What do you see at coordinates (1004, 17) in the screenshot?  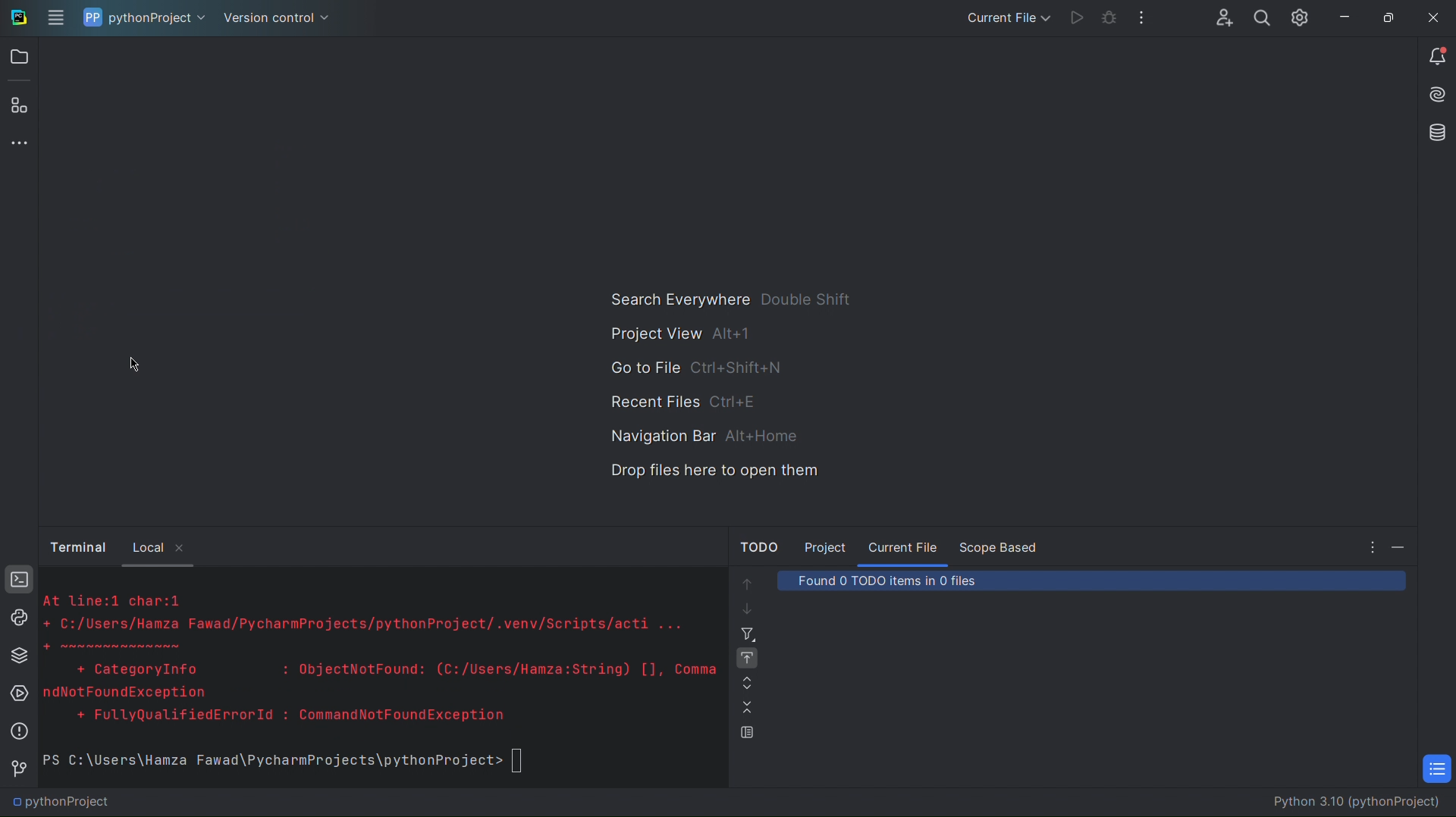 I see `Current File` at bounding box center [1004, 17].